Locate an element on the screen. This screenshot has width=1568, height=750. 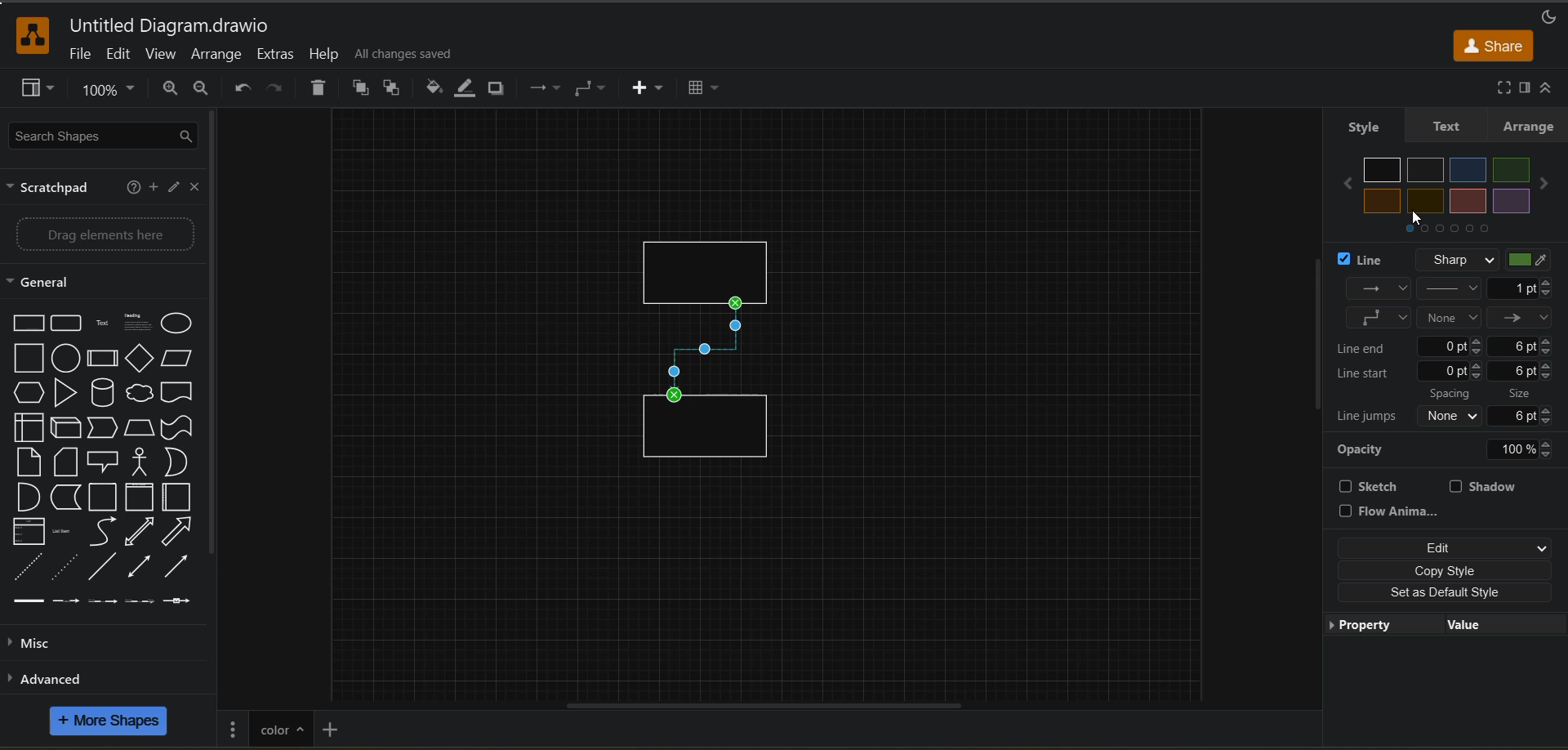
copy style is located at coordinates (1445, 569).